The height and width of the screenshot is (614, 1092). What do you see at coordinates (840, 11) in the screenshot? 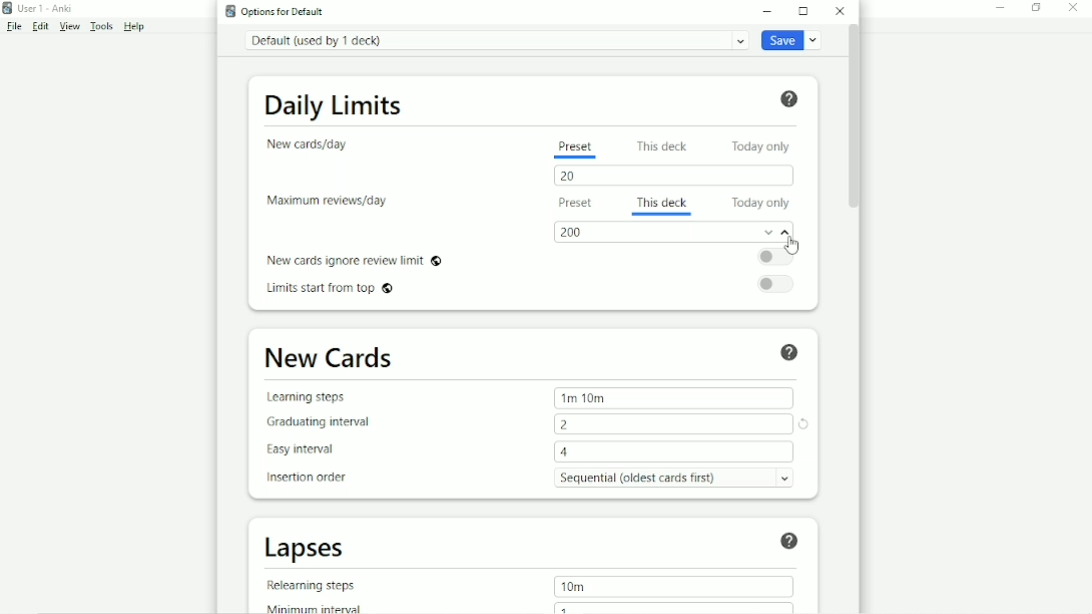
I see `Close` at bounding box center [840, 11].